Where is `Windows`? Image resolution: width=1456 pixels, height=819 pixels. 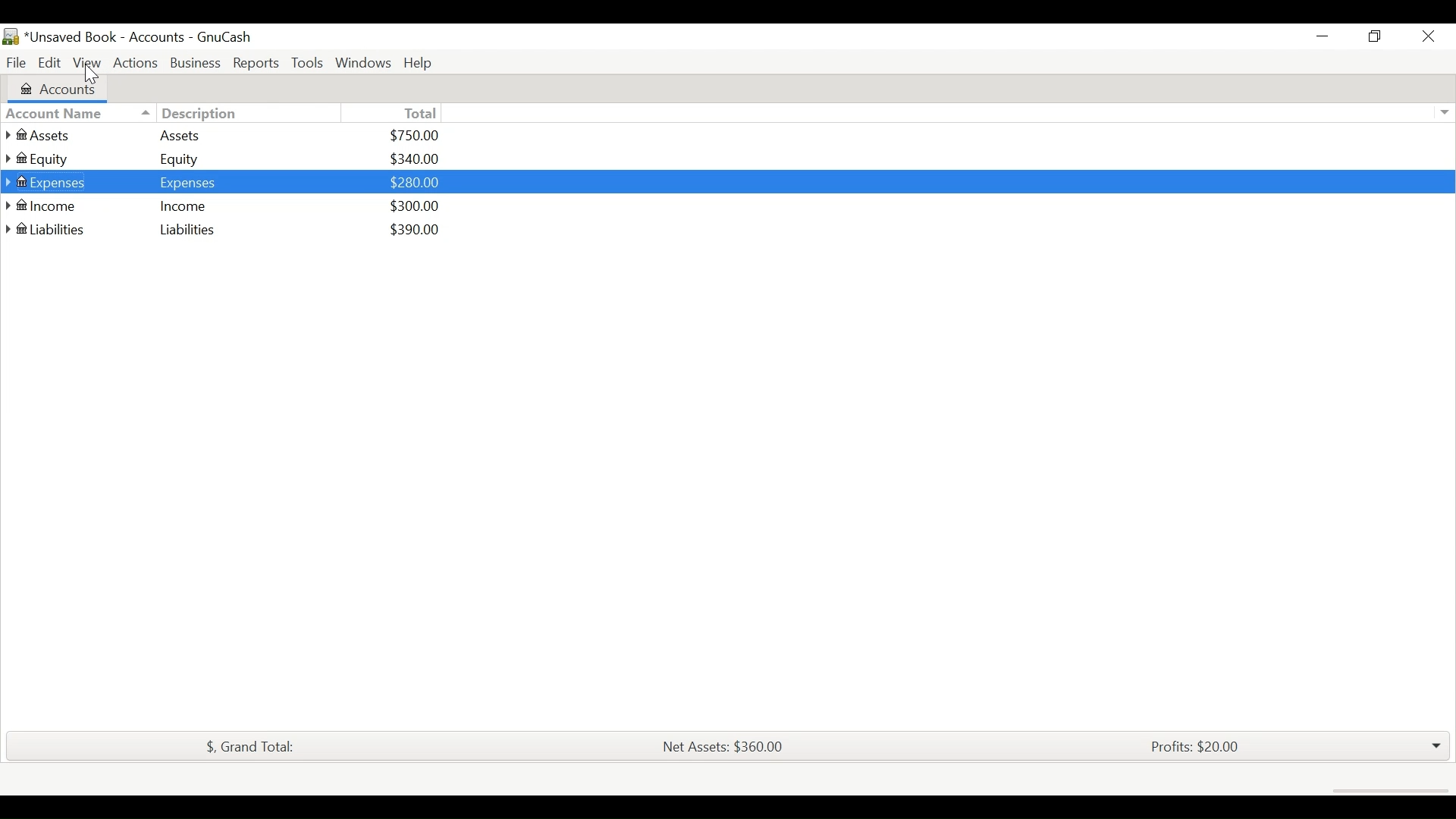 Windows is located at coordinates (363, 63).